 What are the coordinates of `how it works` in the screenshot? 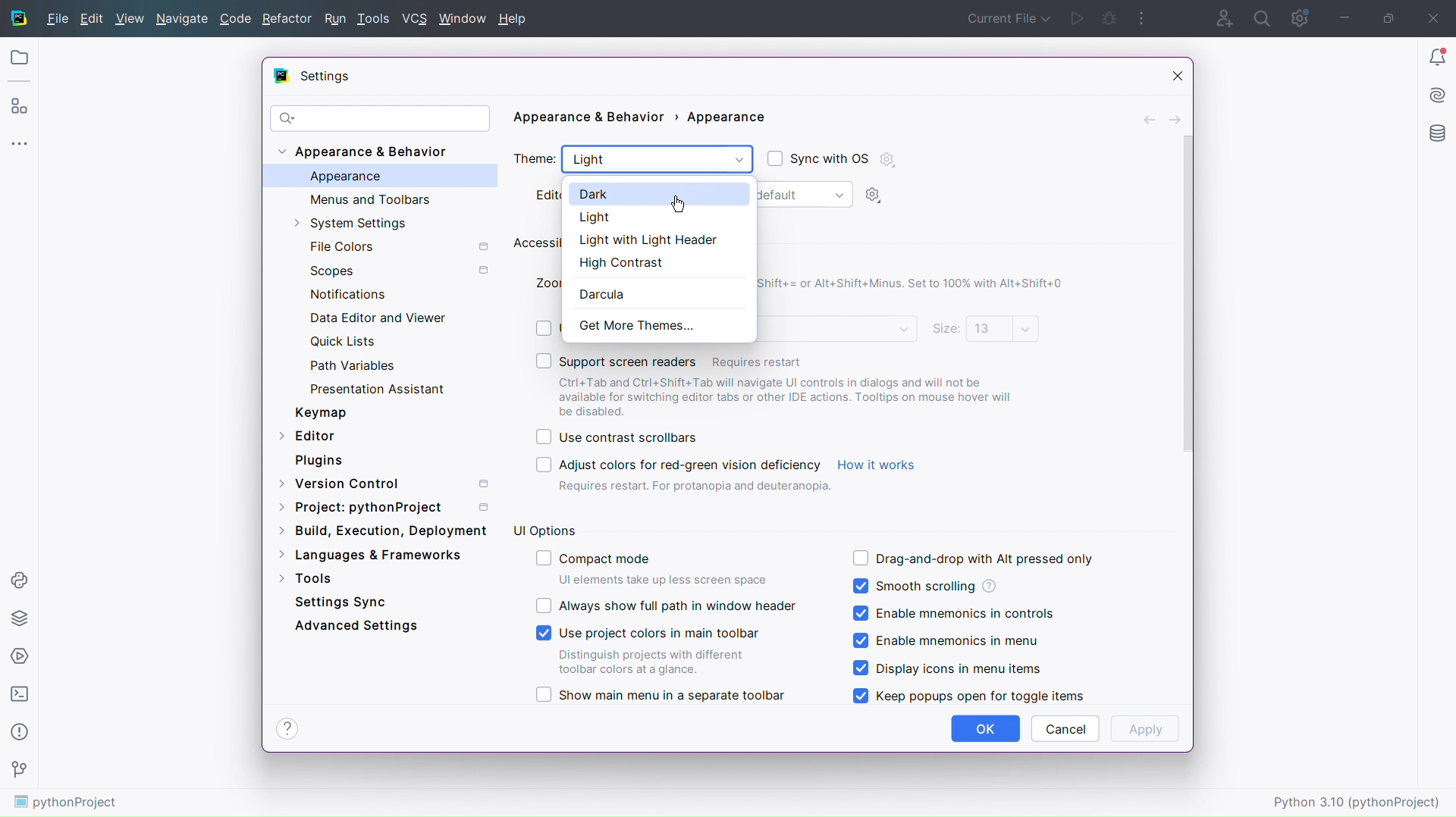 It's located at (877, 465).